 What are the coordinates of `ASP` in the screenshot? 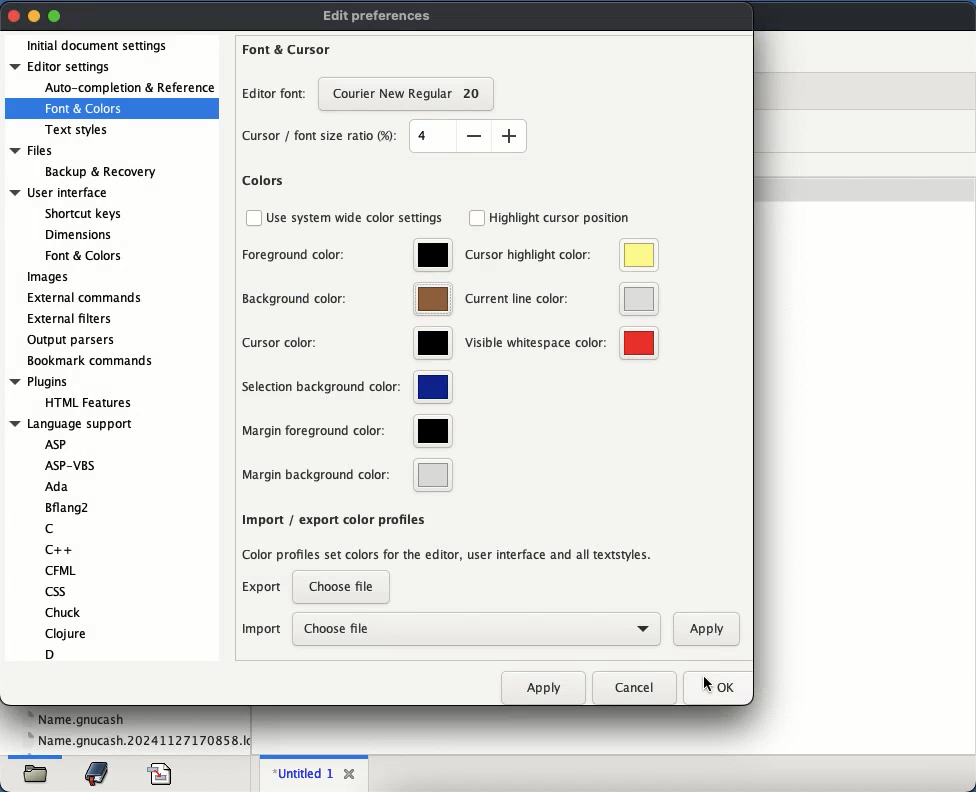 It's located at (57, 442).